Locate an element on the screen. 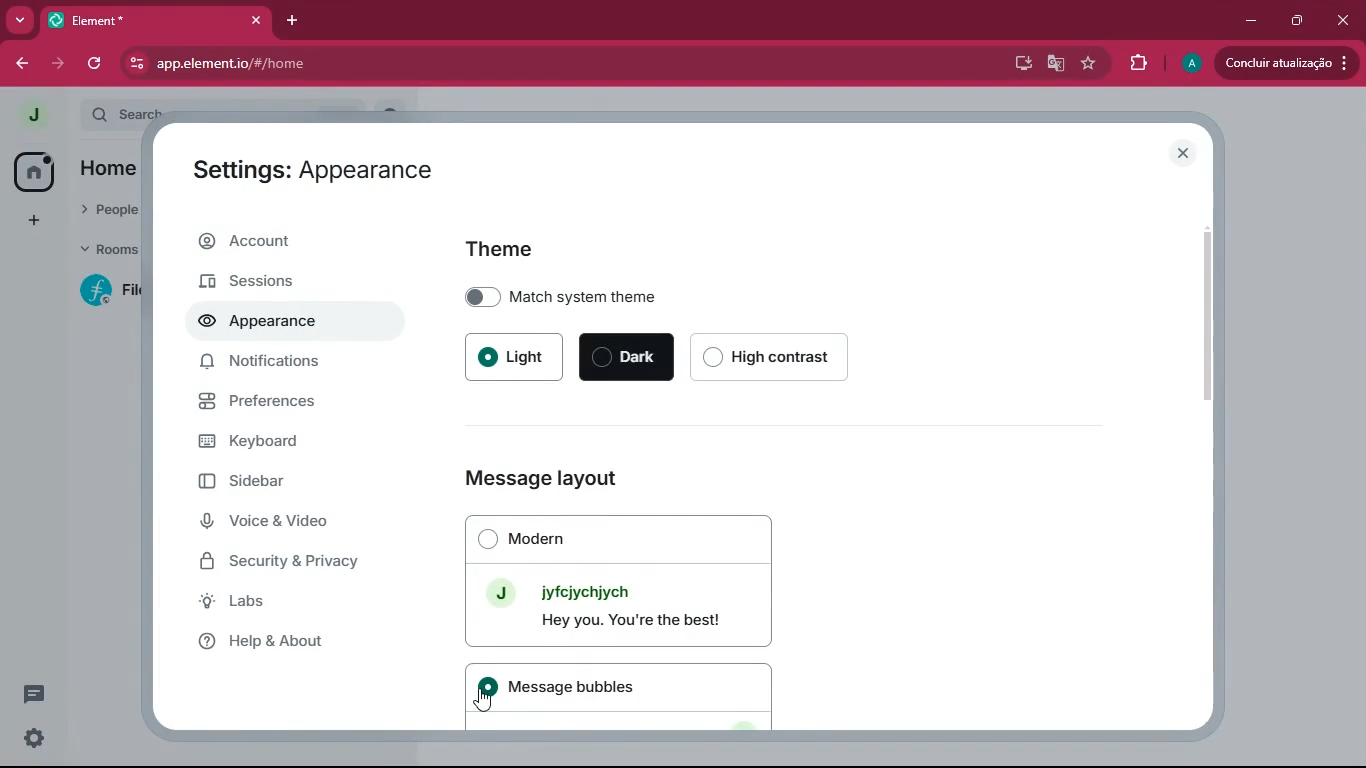  off is located at coordinates (490, 539).